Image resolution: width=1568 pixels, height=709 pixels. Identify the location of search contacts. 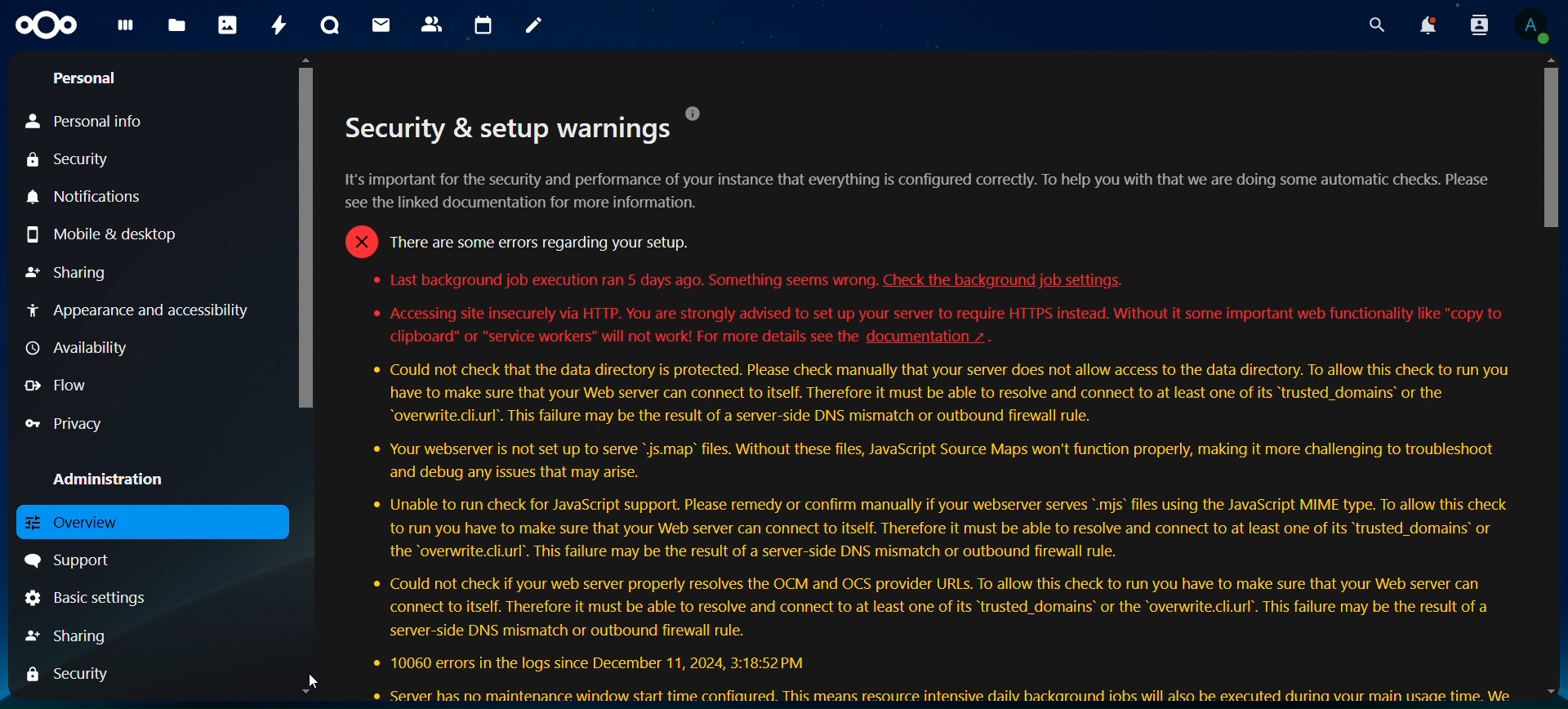
(1477, 27).